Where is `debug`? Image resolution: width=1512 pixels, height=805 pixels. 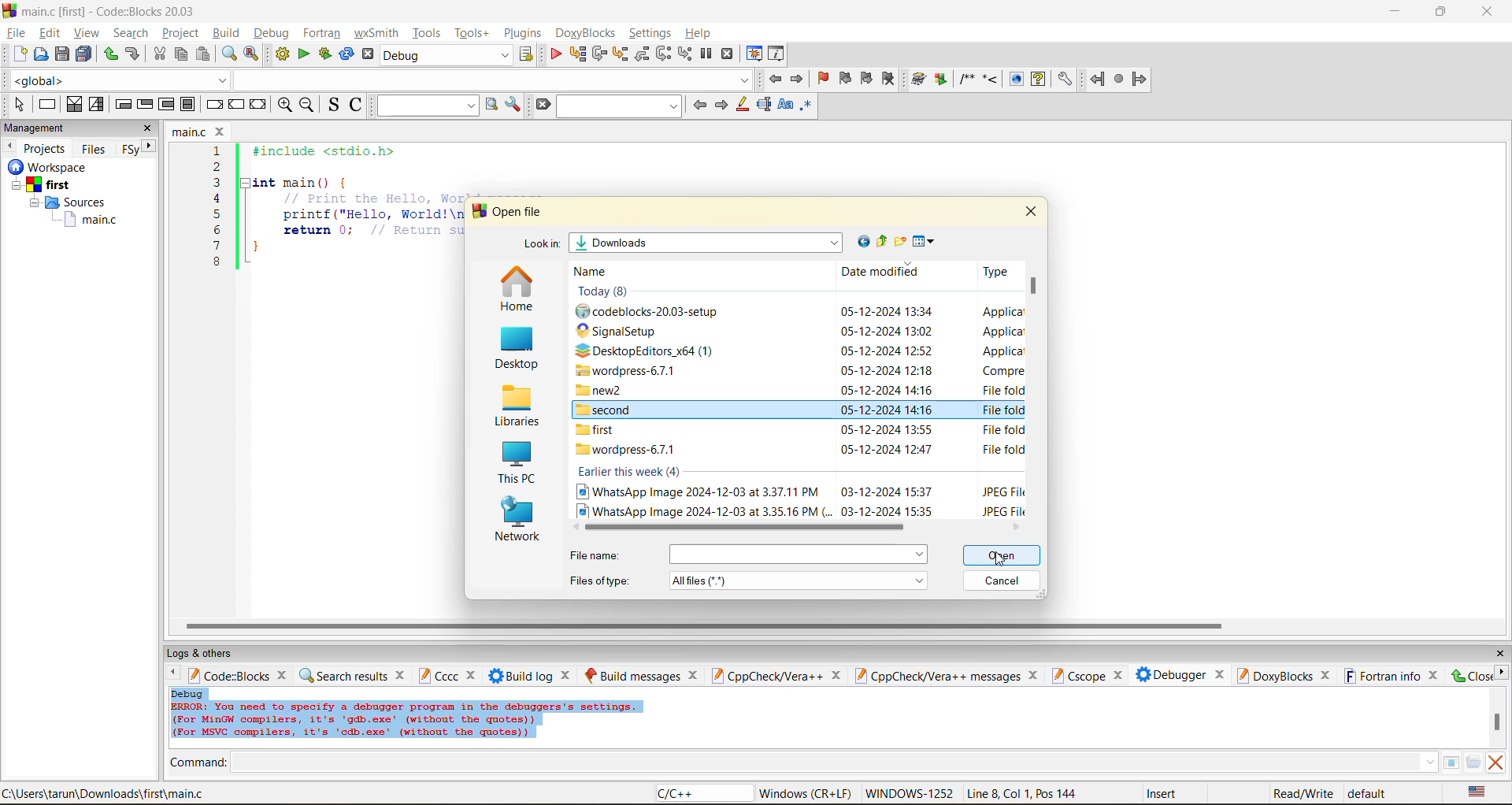
debug is located at coordinates (188, 693).